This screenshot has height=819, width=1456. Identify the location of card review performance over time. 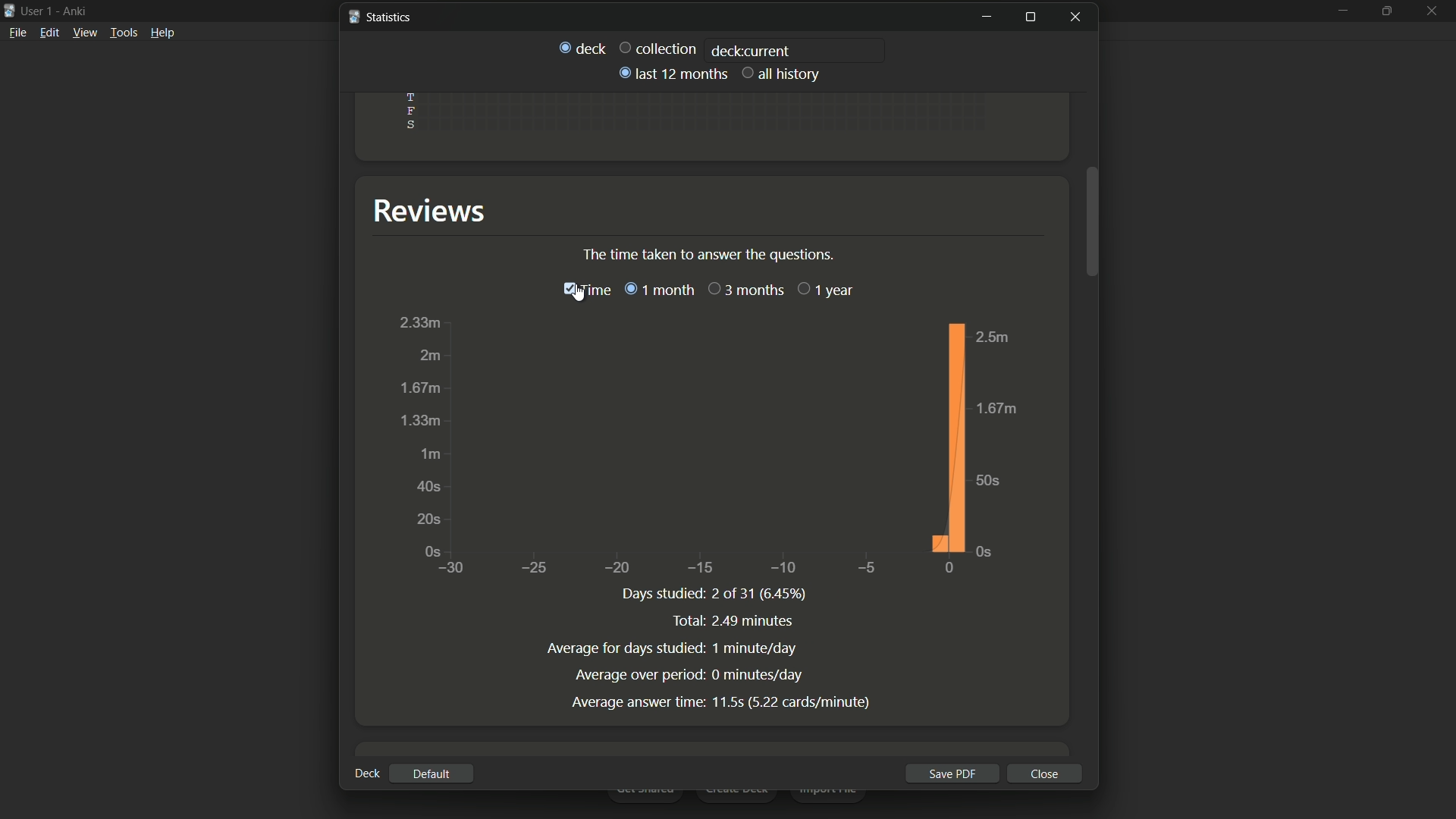
(708, 447).